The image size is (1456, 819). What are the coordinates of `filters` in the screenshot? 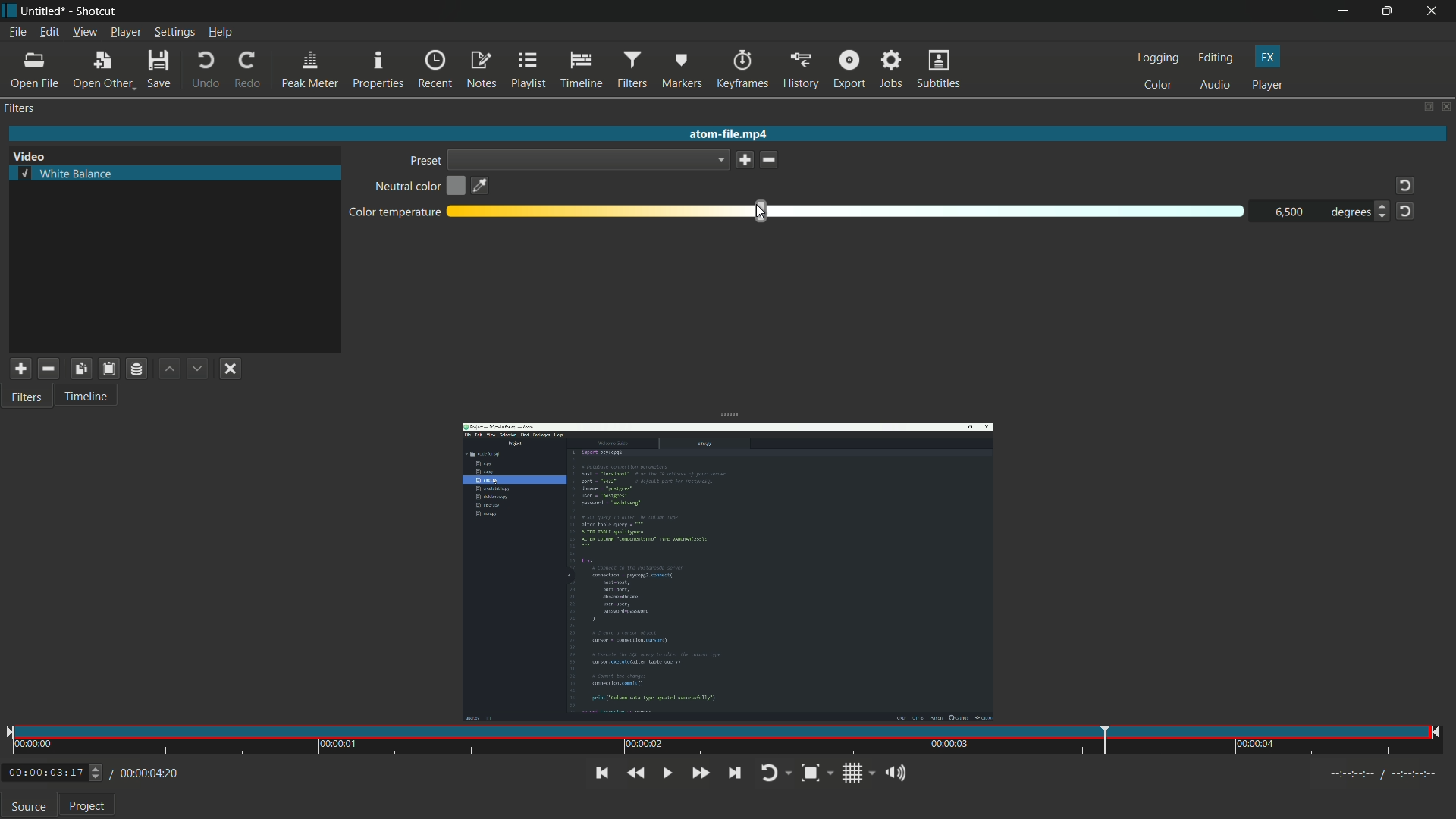 It's located at (633, 70).